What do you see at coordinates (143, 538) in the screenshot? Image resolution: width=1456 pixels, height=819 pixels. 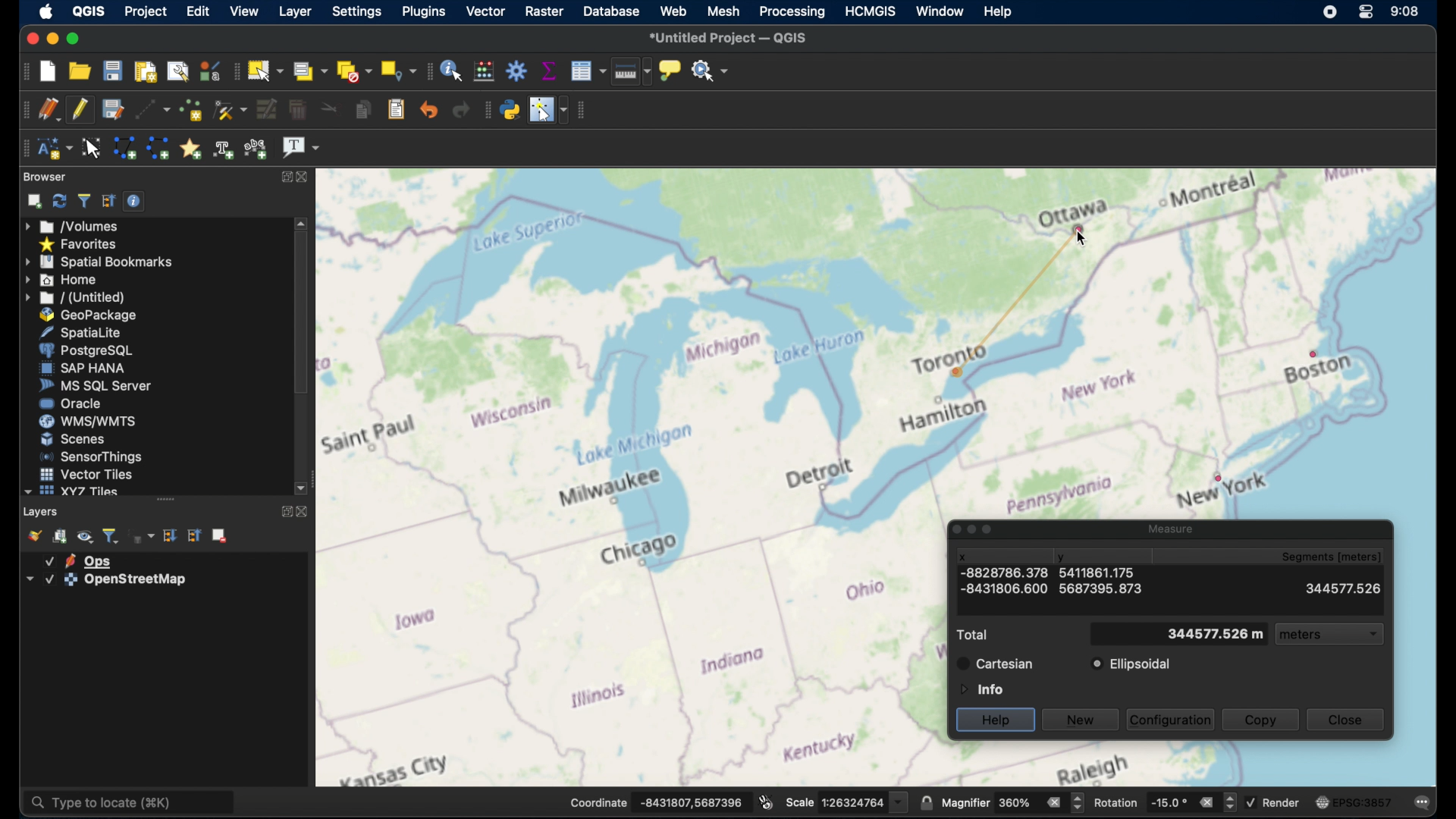 I see `filter legend by expression` at bounding box center [143, 538].